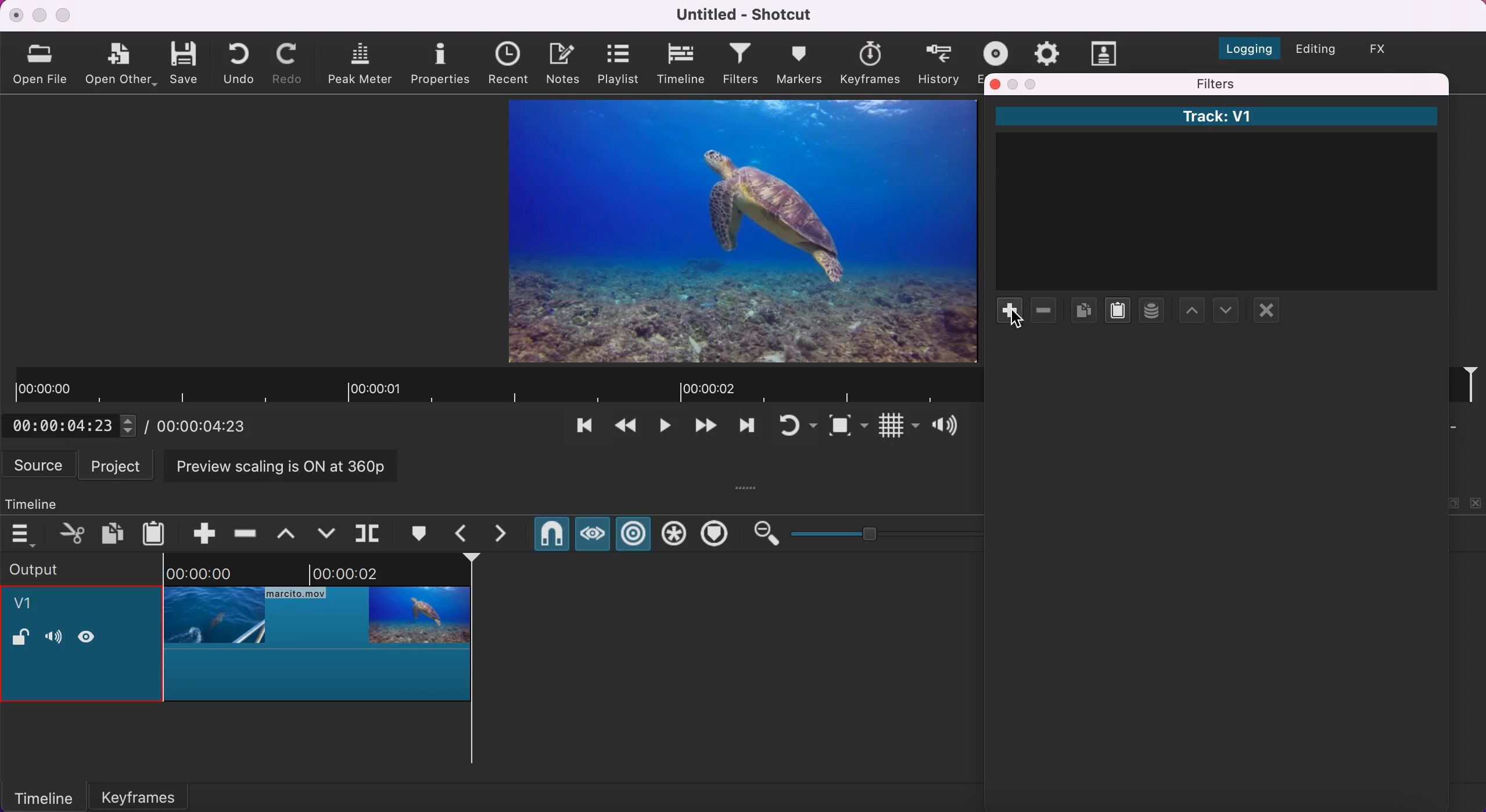  What do you see at coordinates (742, 66) in the screenshot?
I see `filters` at bounding box center [742, 66].